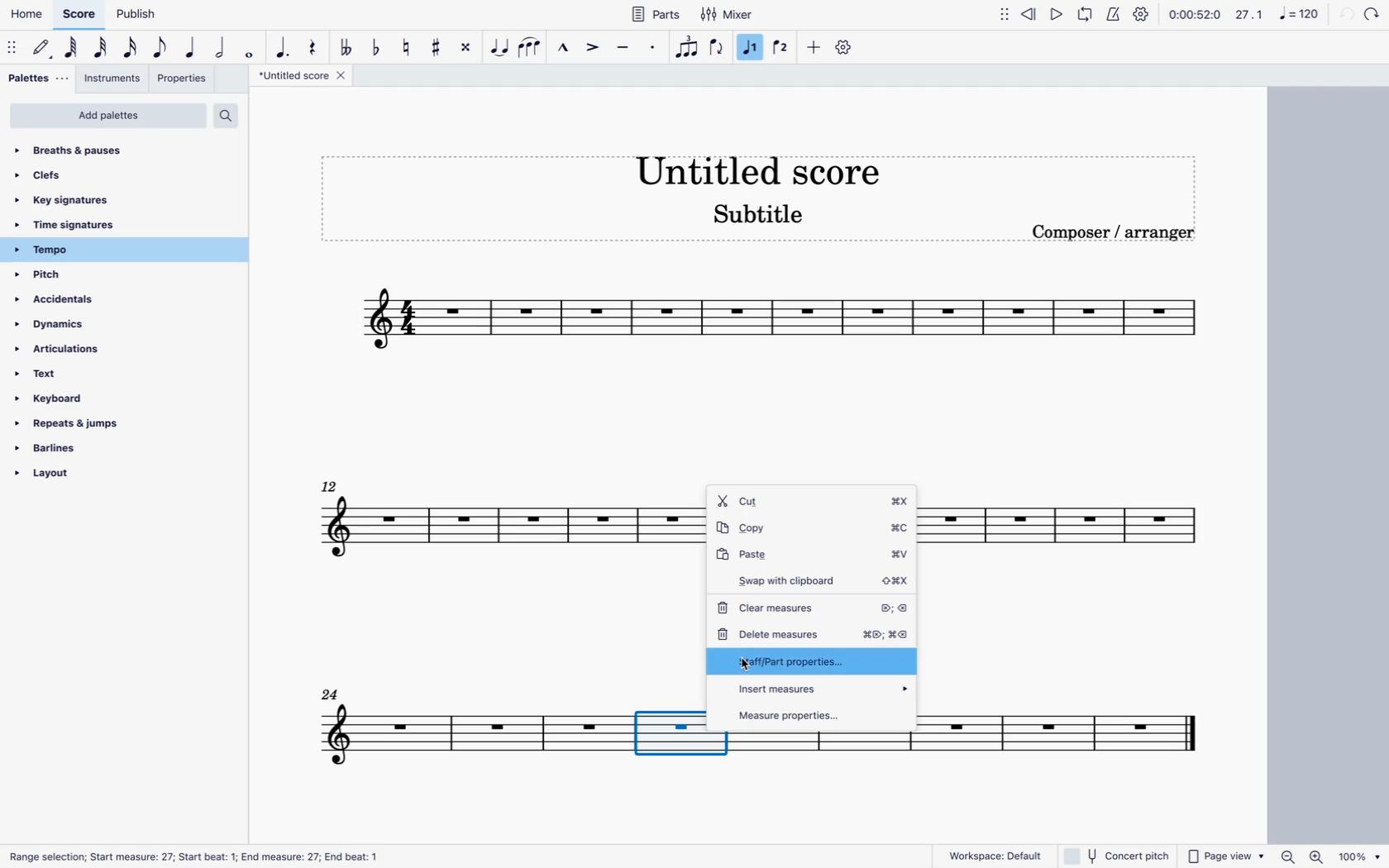 The height and width of the screenshot is (868, 1389). I want to click on zoom, so click(1329, 855).